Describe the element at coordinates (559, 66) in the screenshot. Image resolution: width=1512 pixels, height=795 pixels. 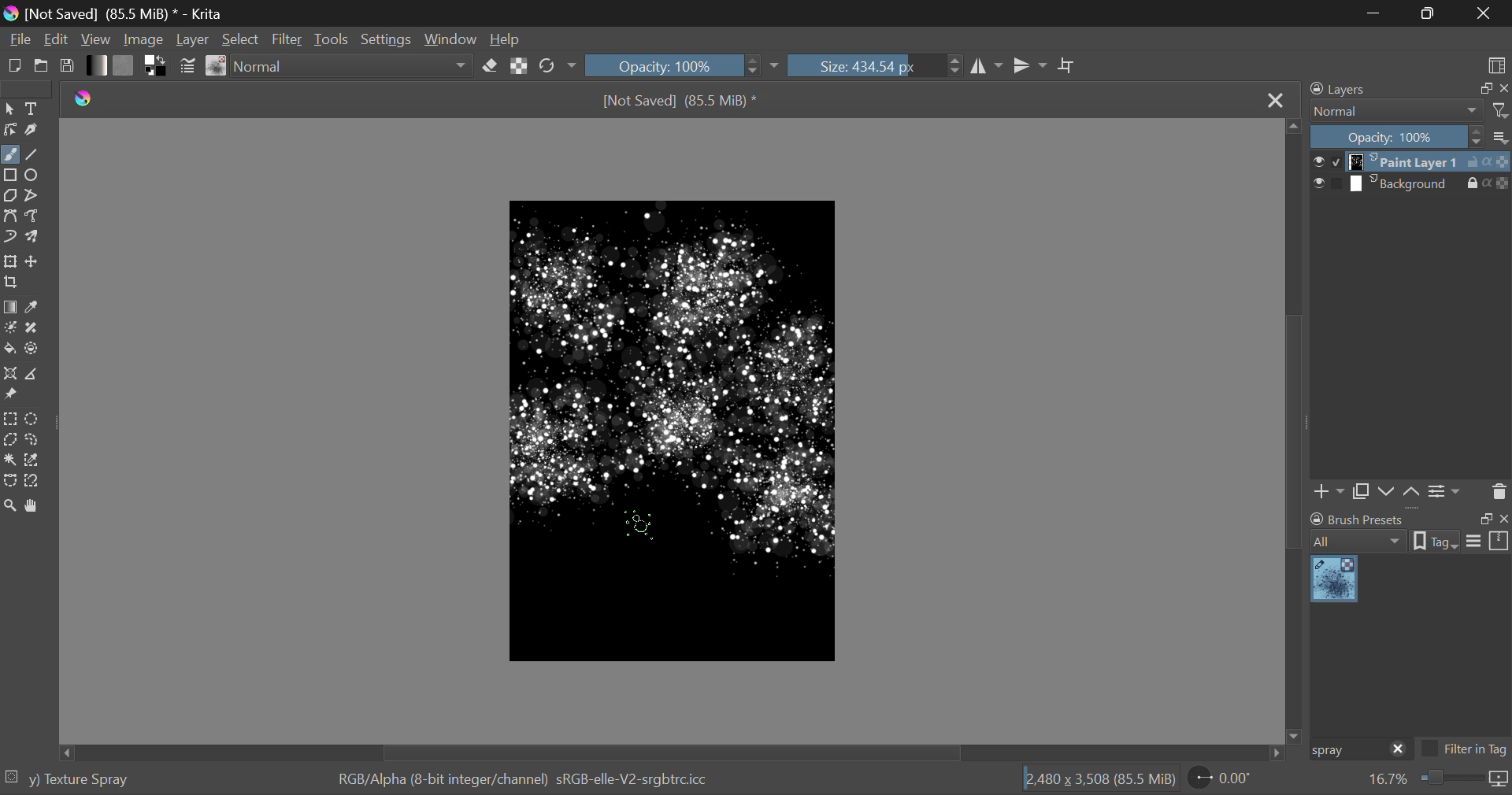
I see `Rotate` at that location.